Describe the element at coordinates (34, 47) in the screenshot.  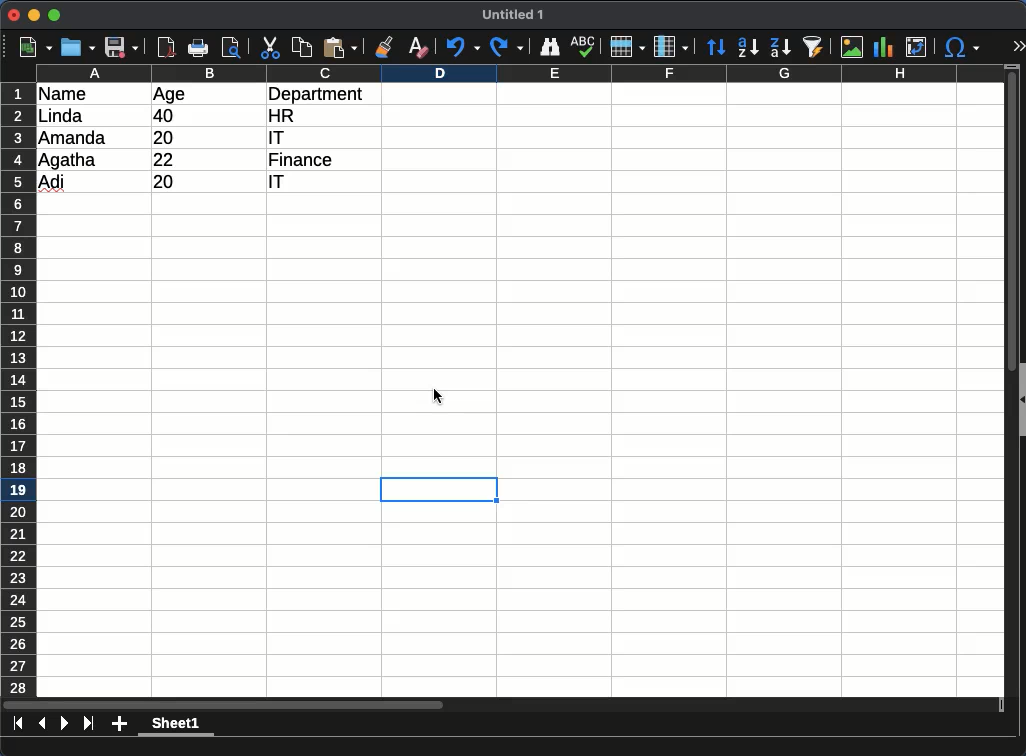
I see `new` at that location.